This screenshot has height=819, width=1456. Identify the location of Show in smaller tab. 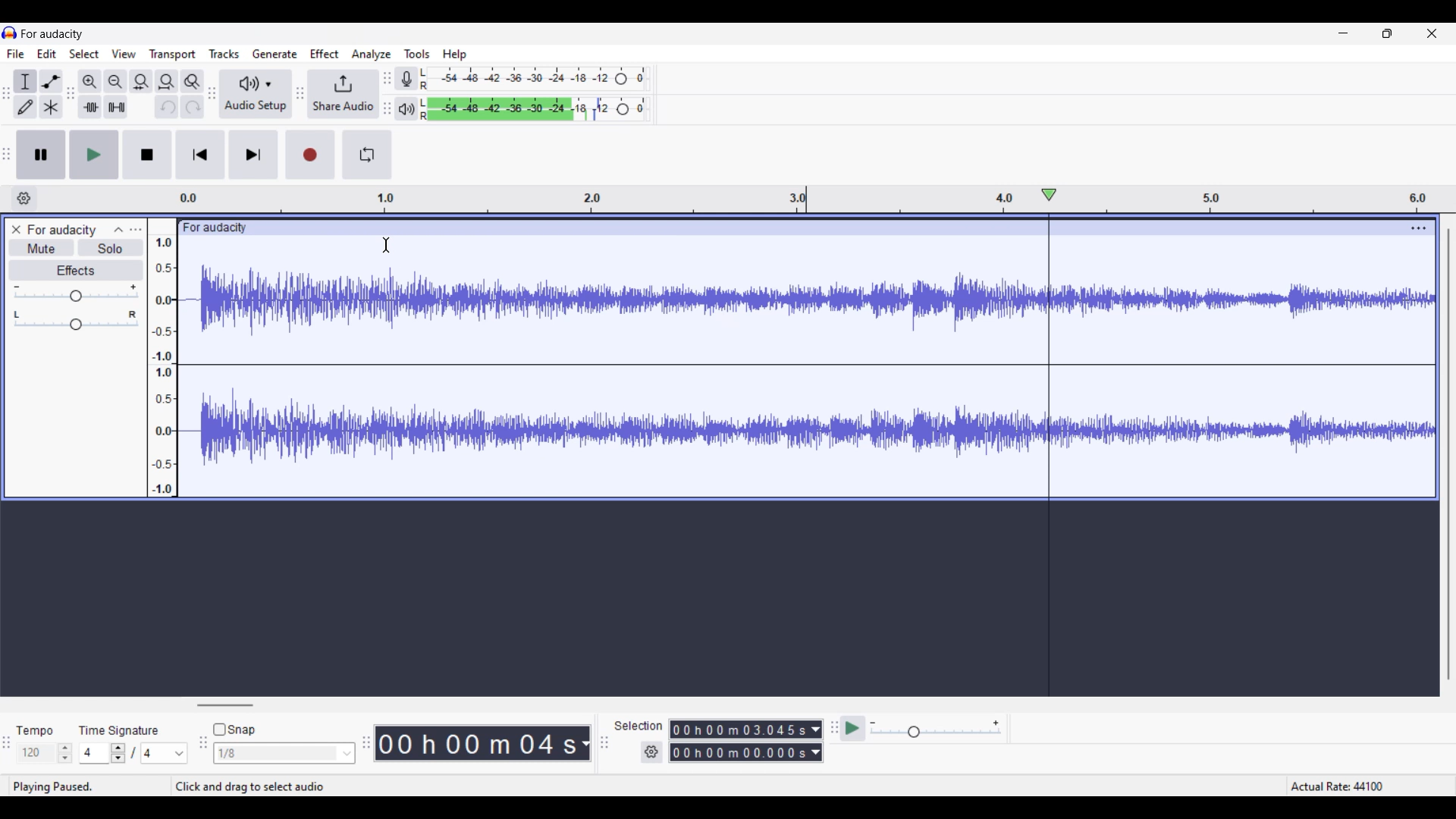
(1387, 33).